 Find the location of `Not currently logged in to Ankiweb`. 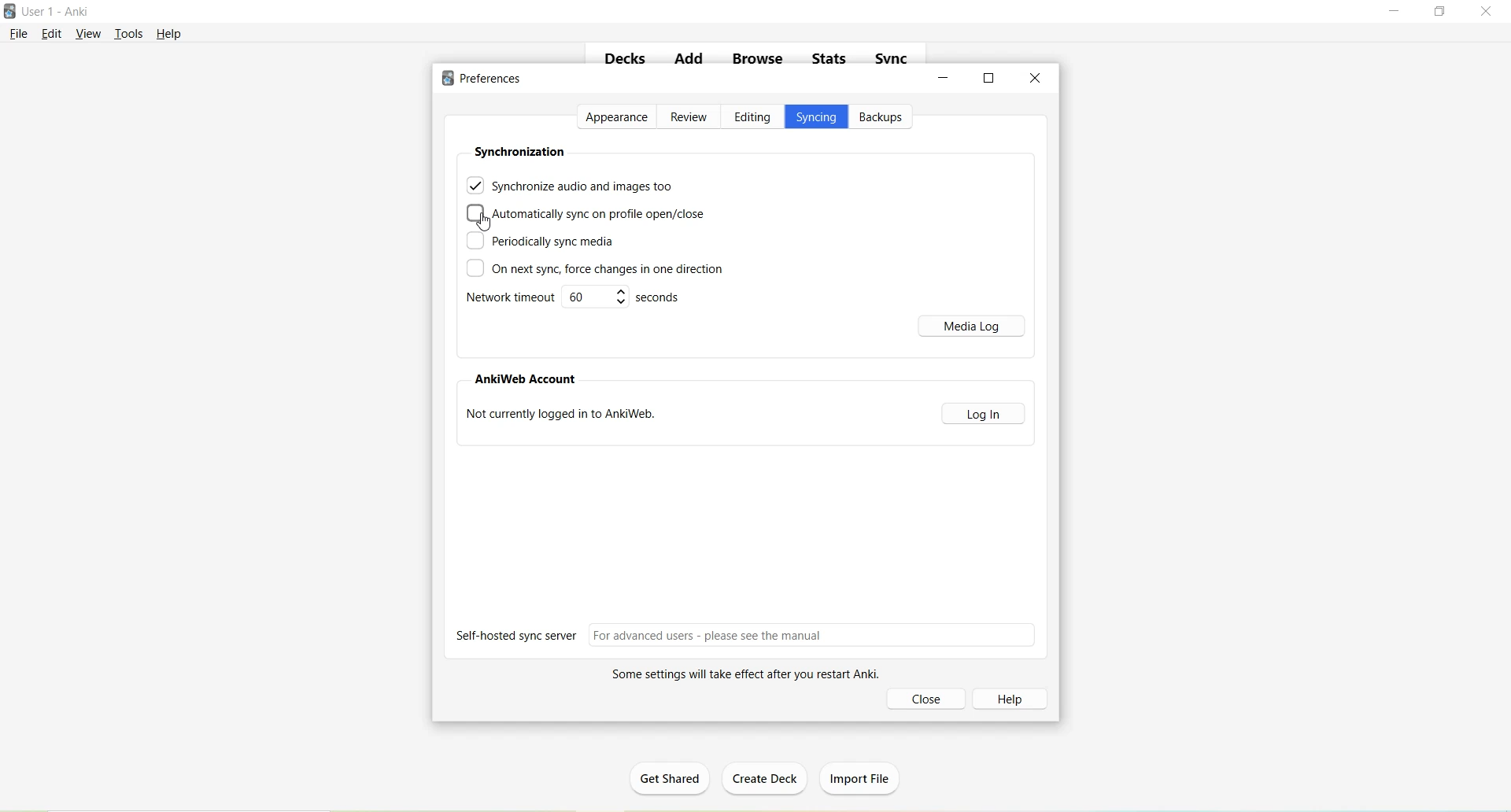

Not currently logged in to Ankiweb is located at coordinates (566, 417).